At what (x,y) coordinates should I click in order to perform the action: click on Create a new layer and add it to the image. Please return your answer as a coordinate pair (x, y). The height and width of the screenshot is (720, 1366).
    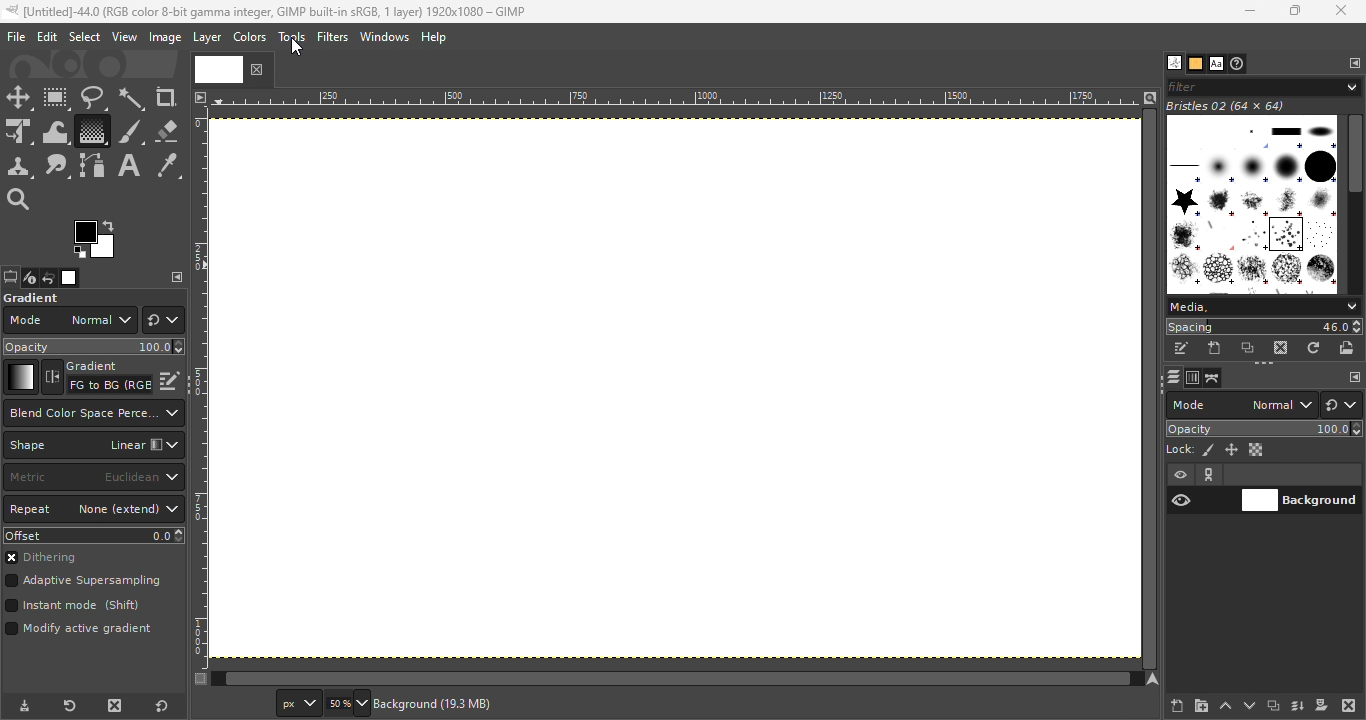
    Looking at the image, I should click on (1178, 706).